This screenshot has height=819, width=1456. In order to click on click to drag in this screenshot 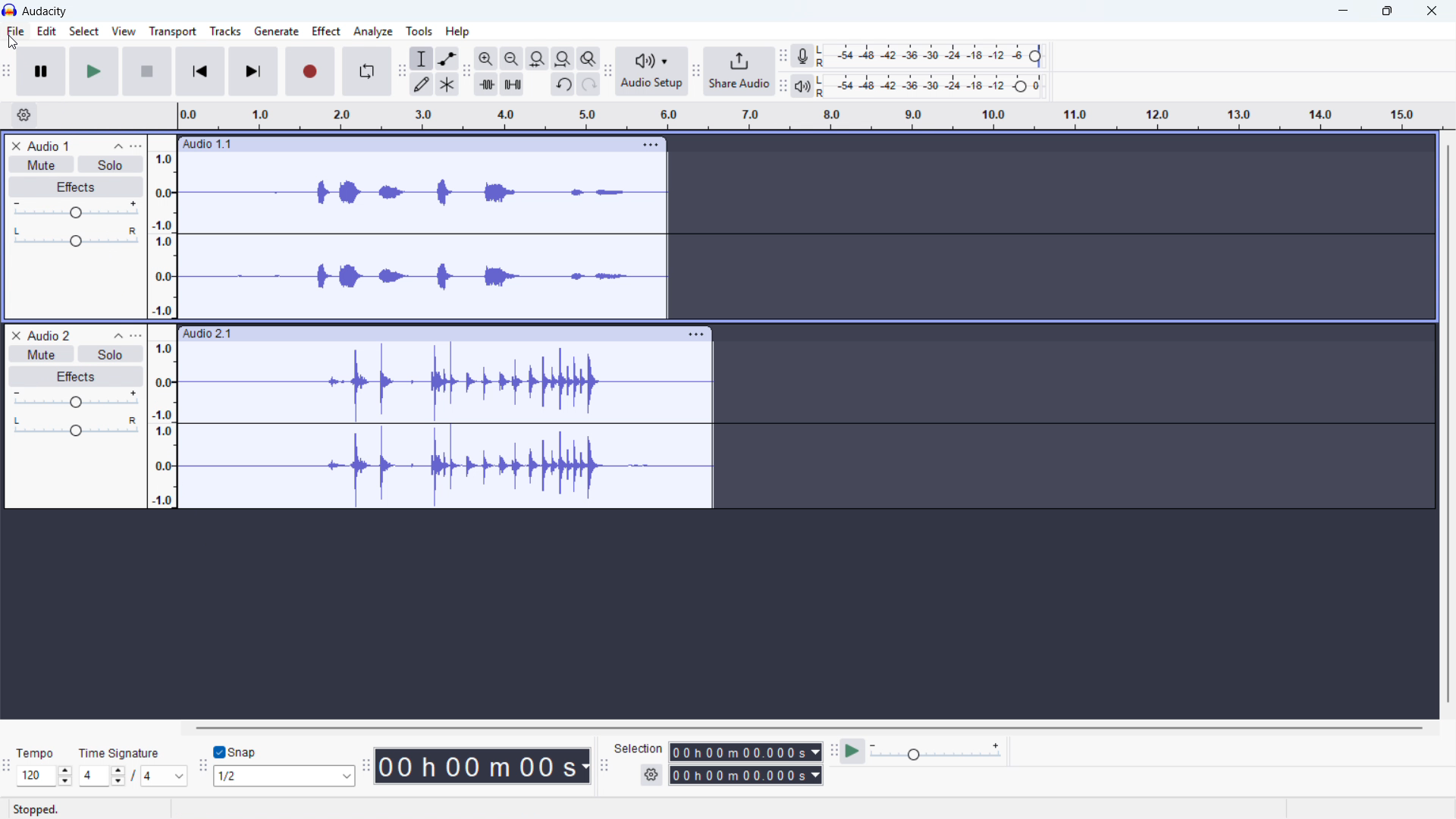, I will do `click(425, 334)`.